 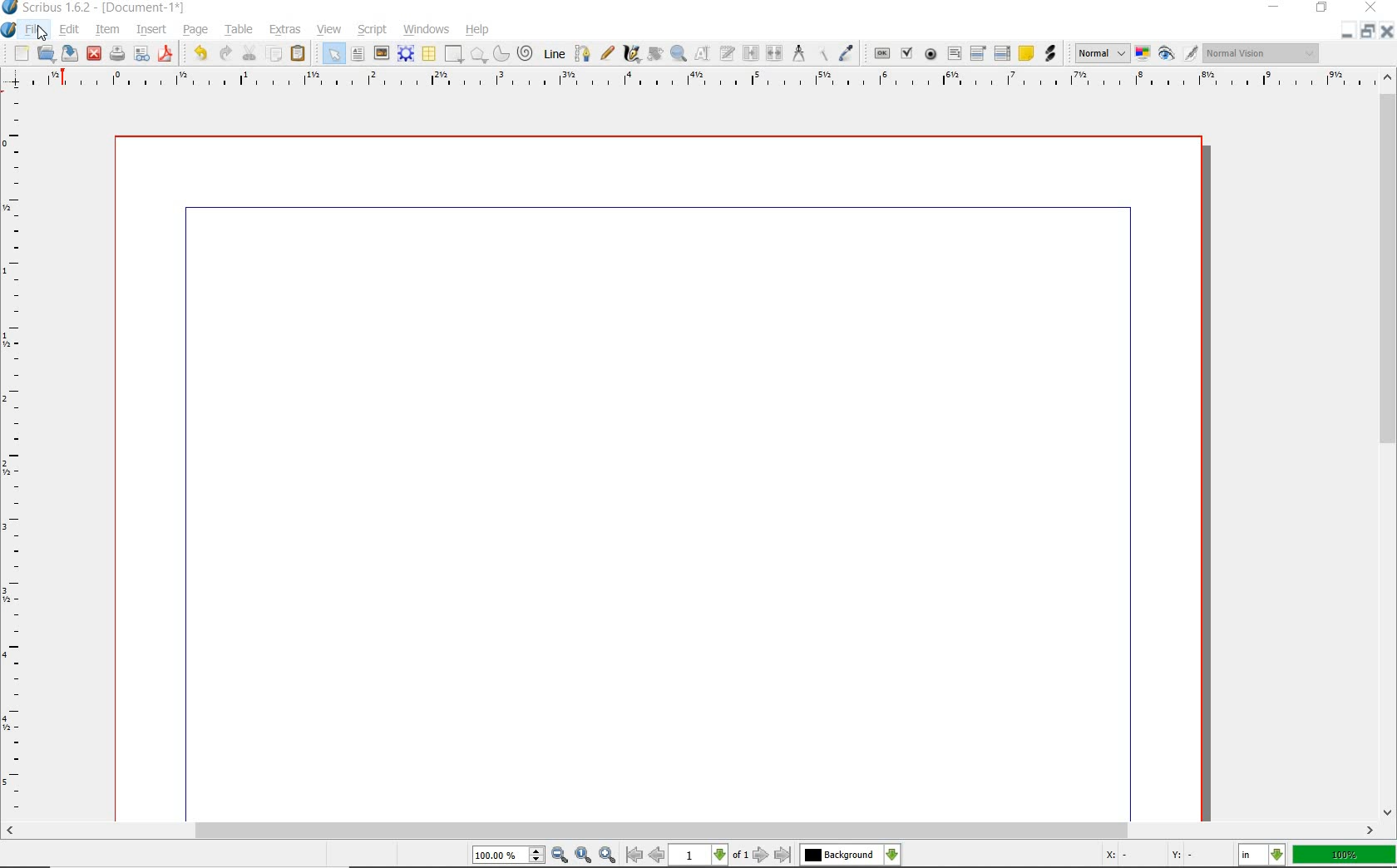 What do you see at coordinates (479, 55) in the screenshot?
I see `polygon` at bounding box center [479, 55].